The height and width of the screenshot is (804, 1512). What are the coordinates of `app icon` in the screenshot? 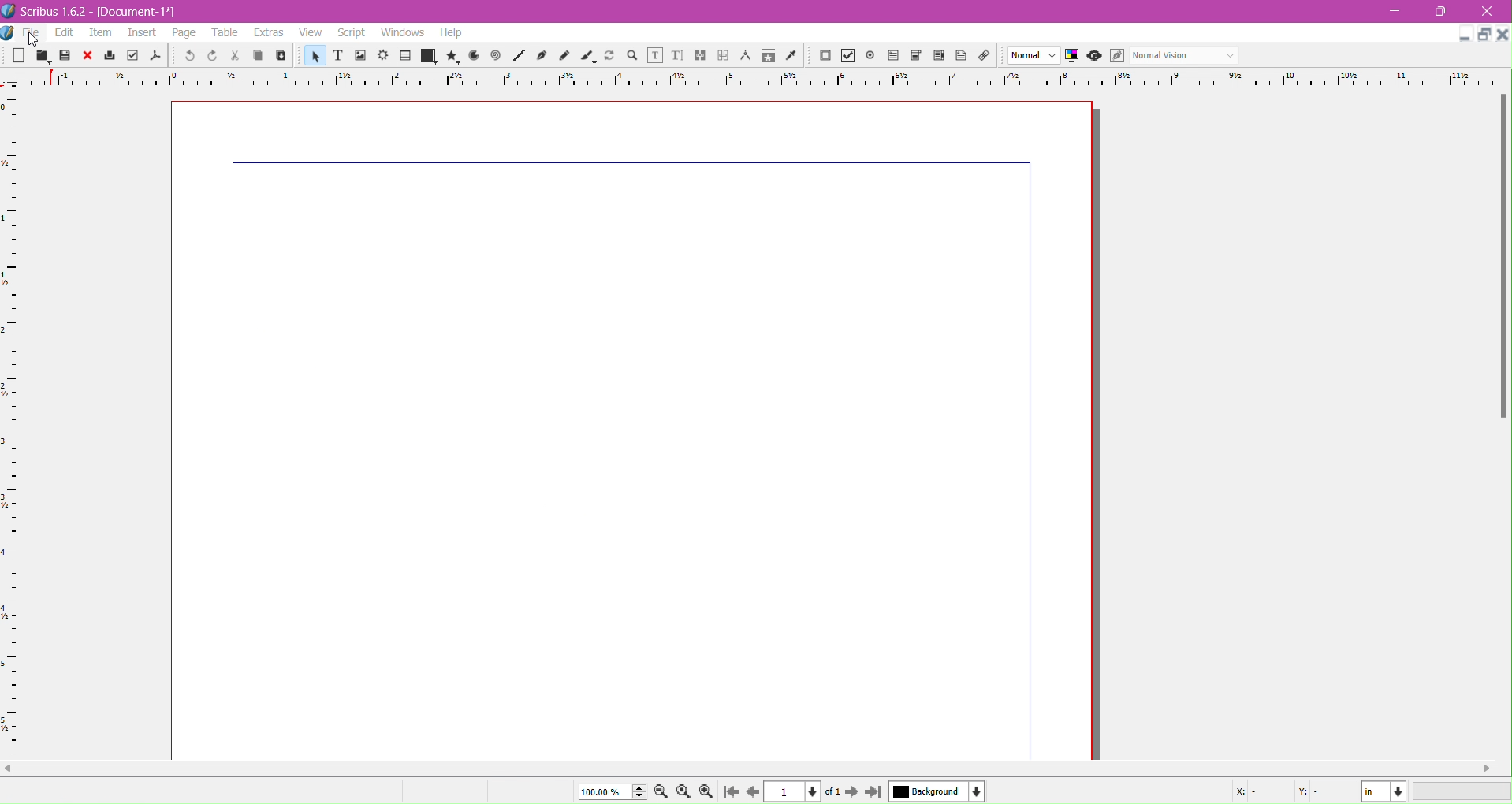 It's located at (9, 11).